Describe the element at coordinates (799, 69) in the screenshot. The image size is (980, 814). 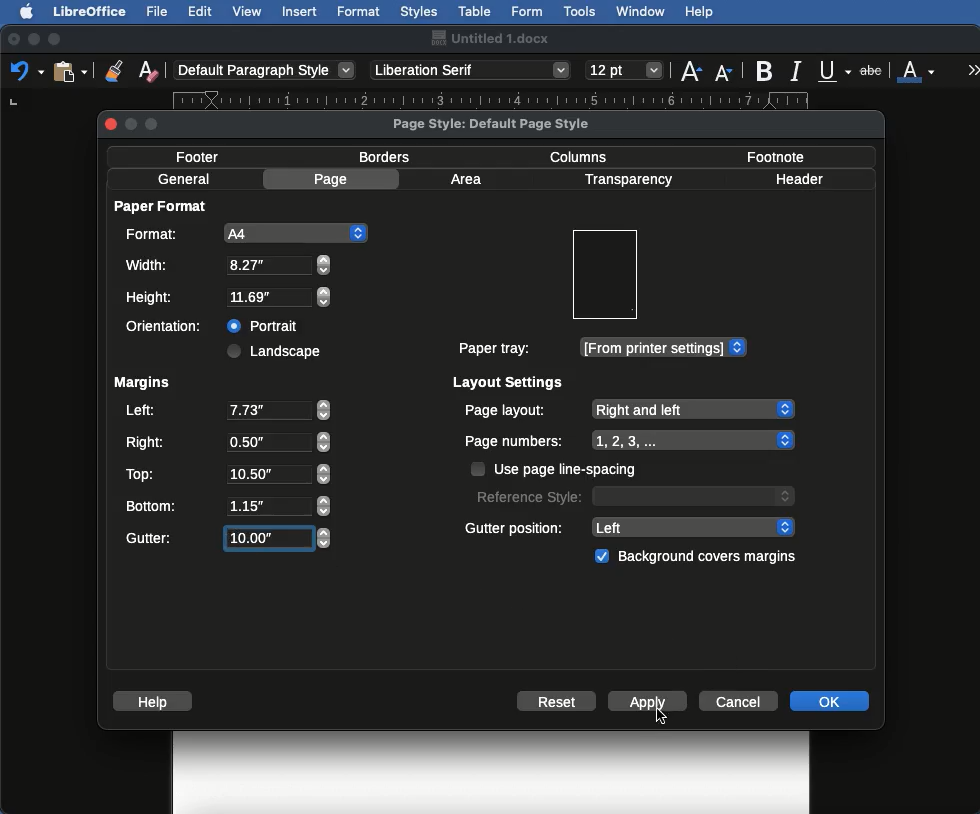
I see `Italics` at that location.